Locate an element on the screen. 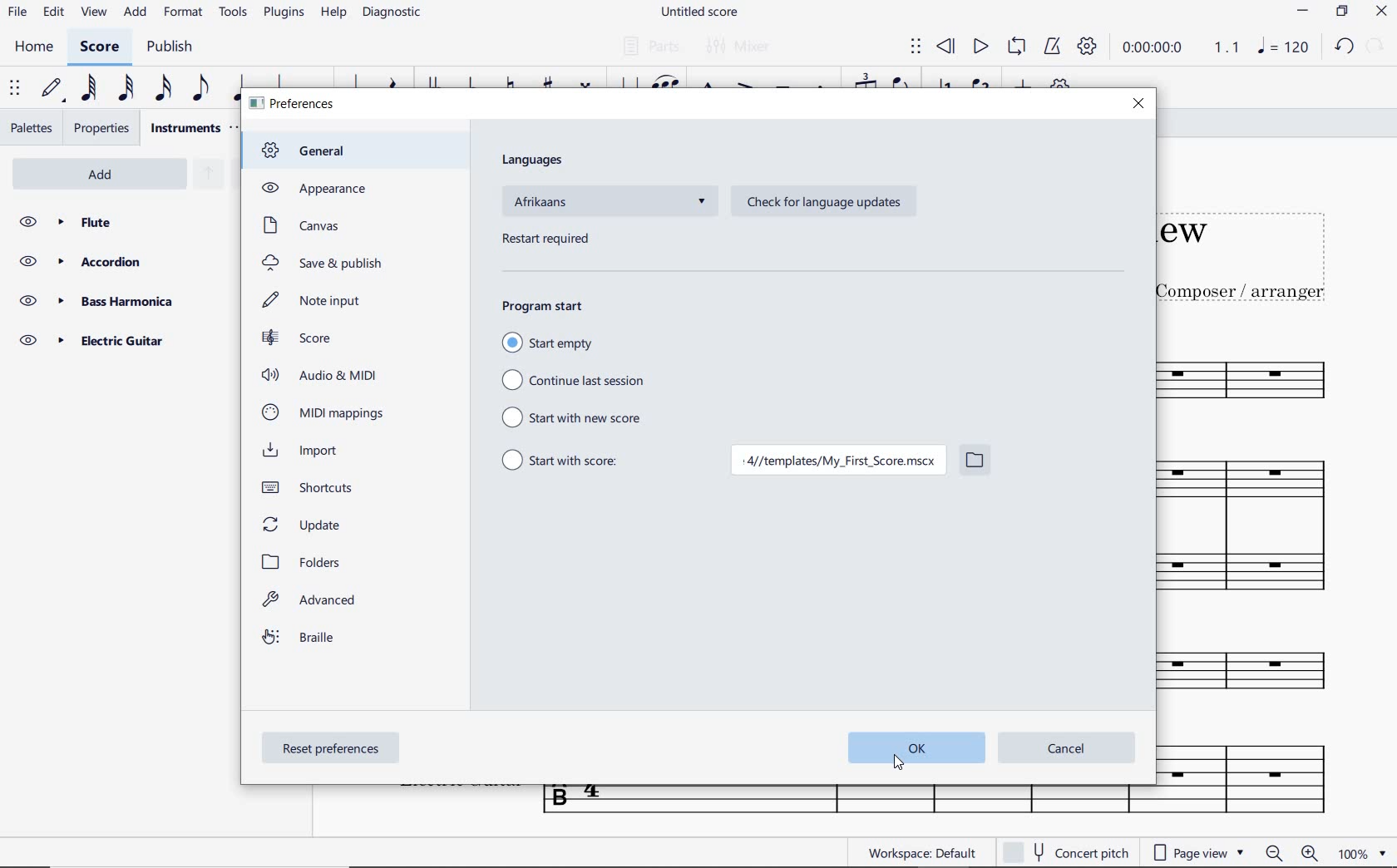 This screenshot has width=1397, height=868. concert pitch is located at coordinates (1066, 852).